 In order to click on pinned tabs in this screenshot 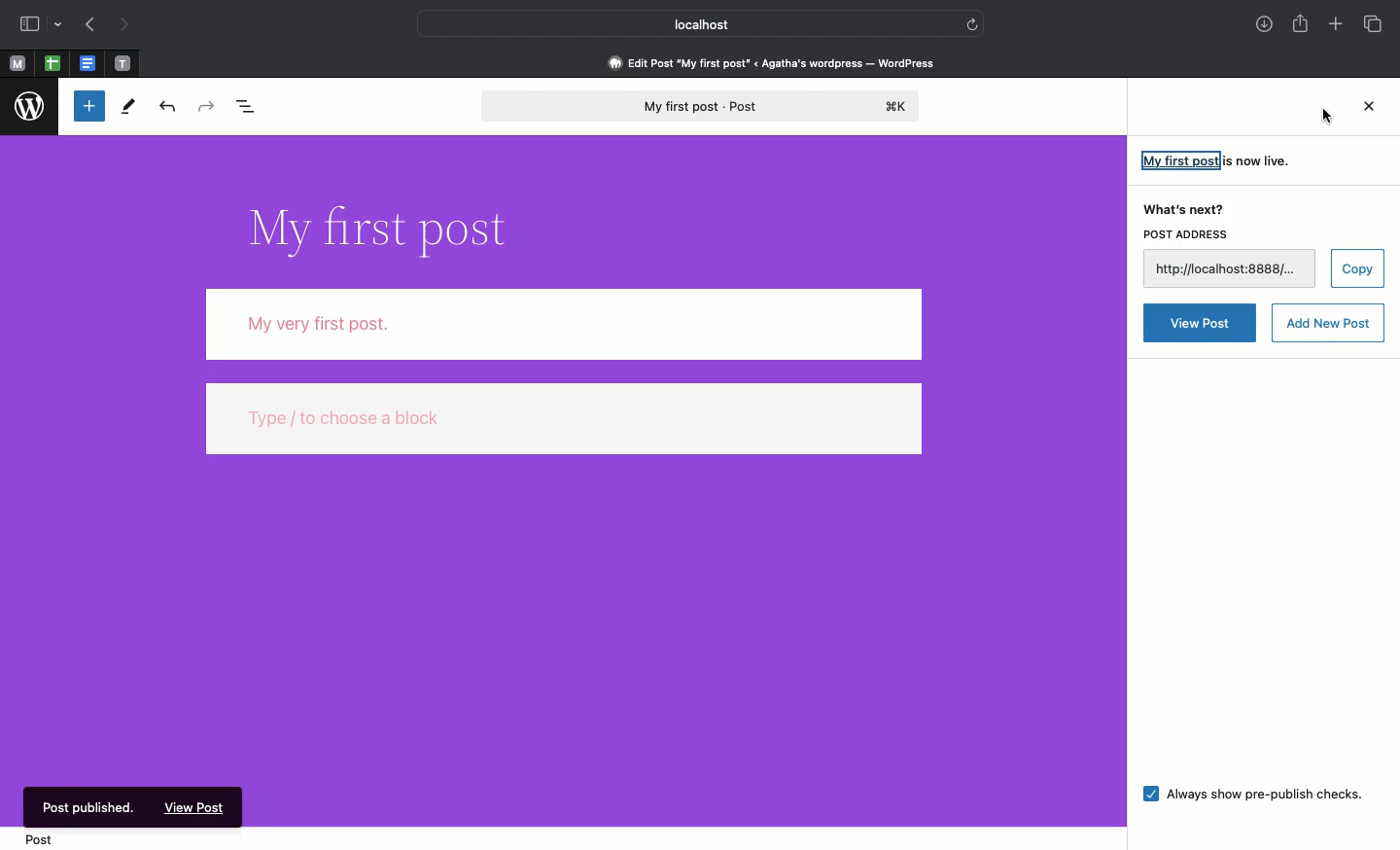, I will do `click(126, 64)`.